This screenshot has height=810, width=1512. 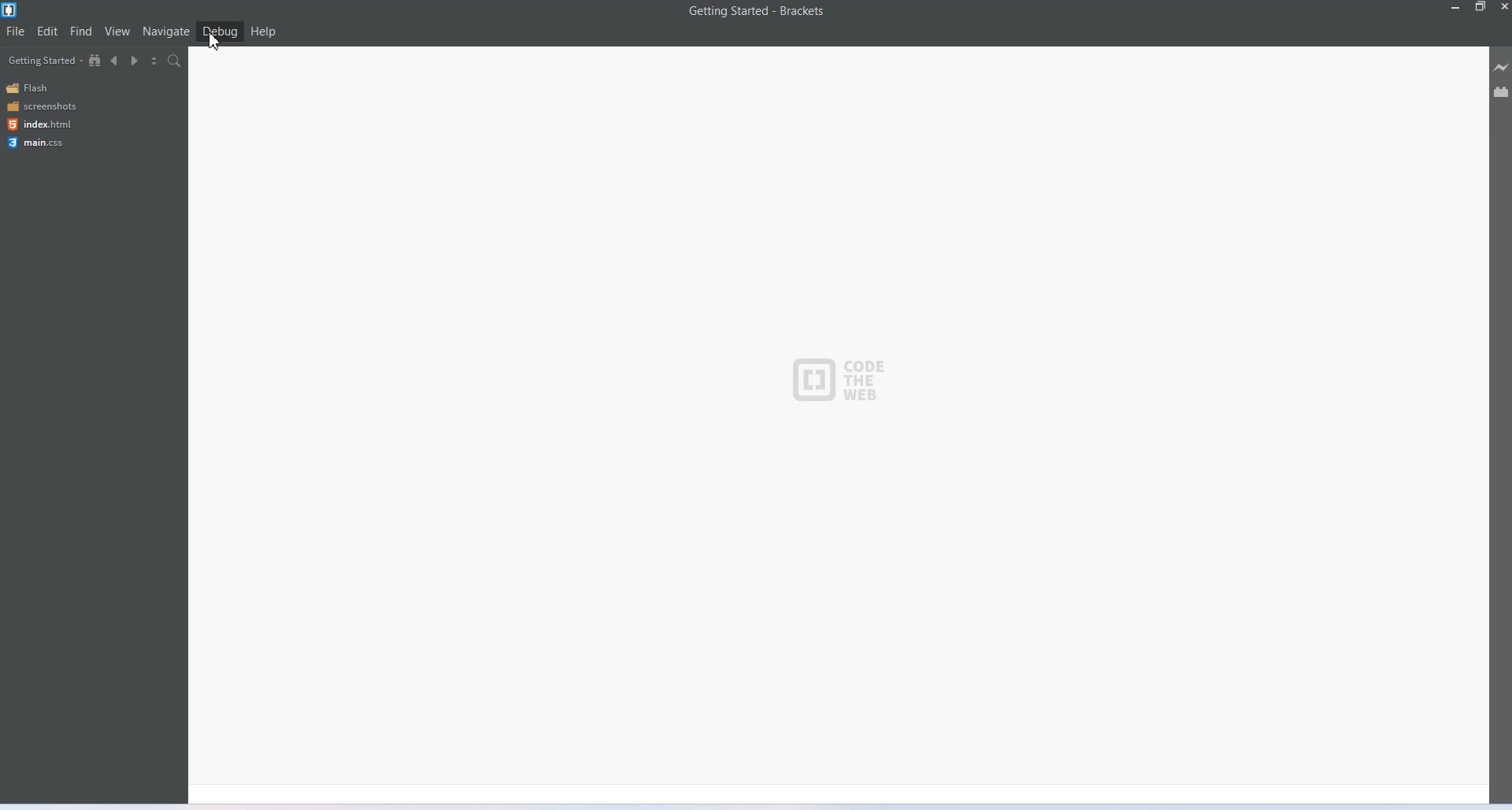 What do you see at coordinates (82, 32) in the screenshot?
I see `Find` at bounding box center [82, 32].